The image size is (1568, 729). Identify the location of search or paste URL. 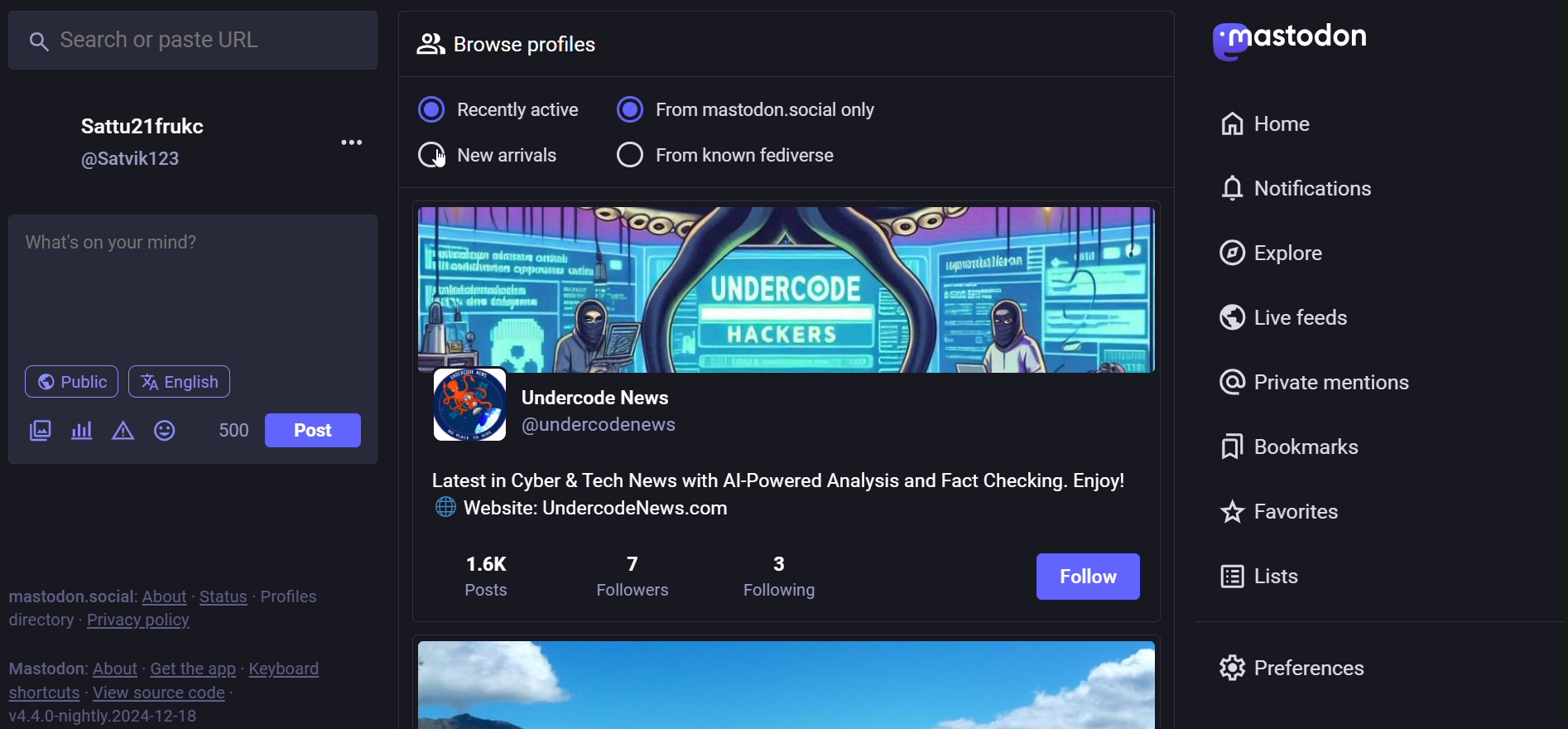
(194, 39).